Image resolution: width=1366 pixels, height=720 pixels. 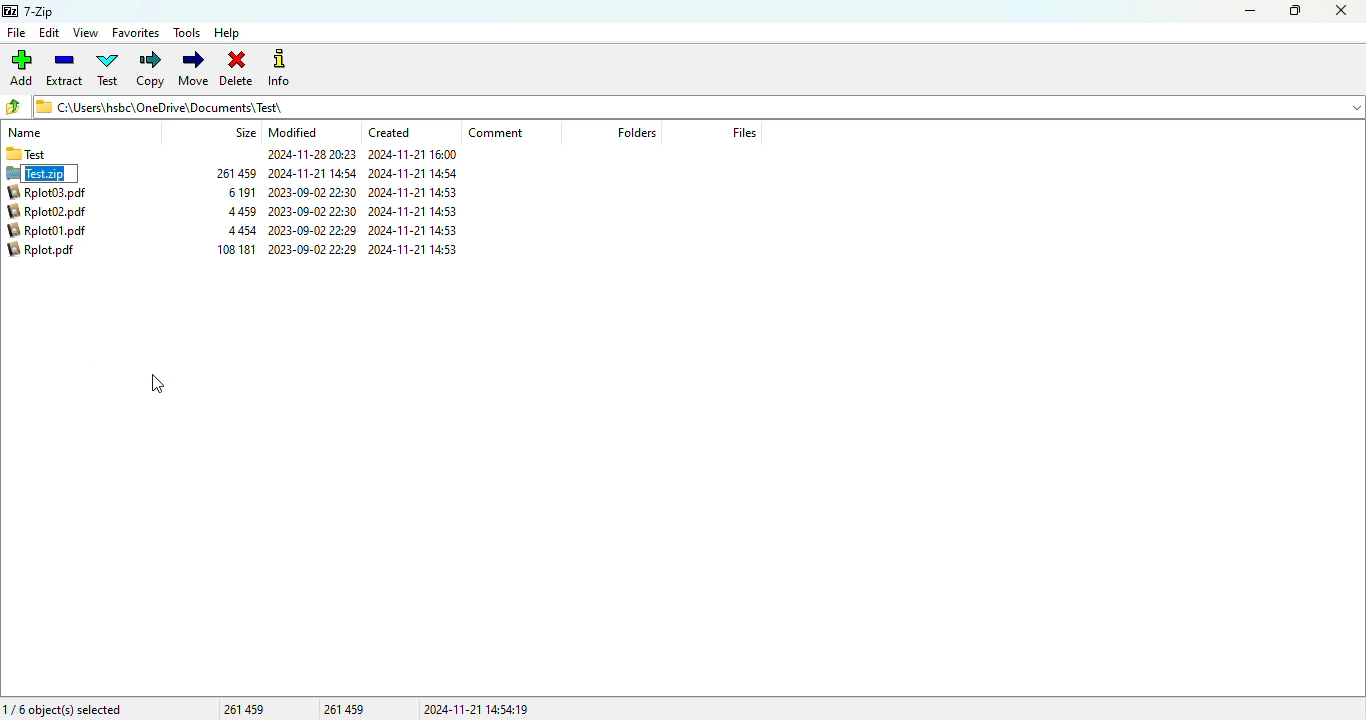 I want to click on cursor, so click(x=62, y=183).